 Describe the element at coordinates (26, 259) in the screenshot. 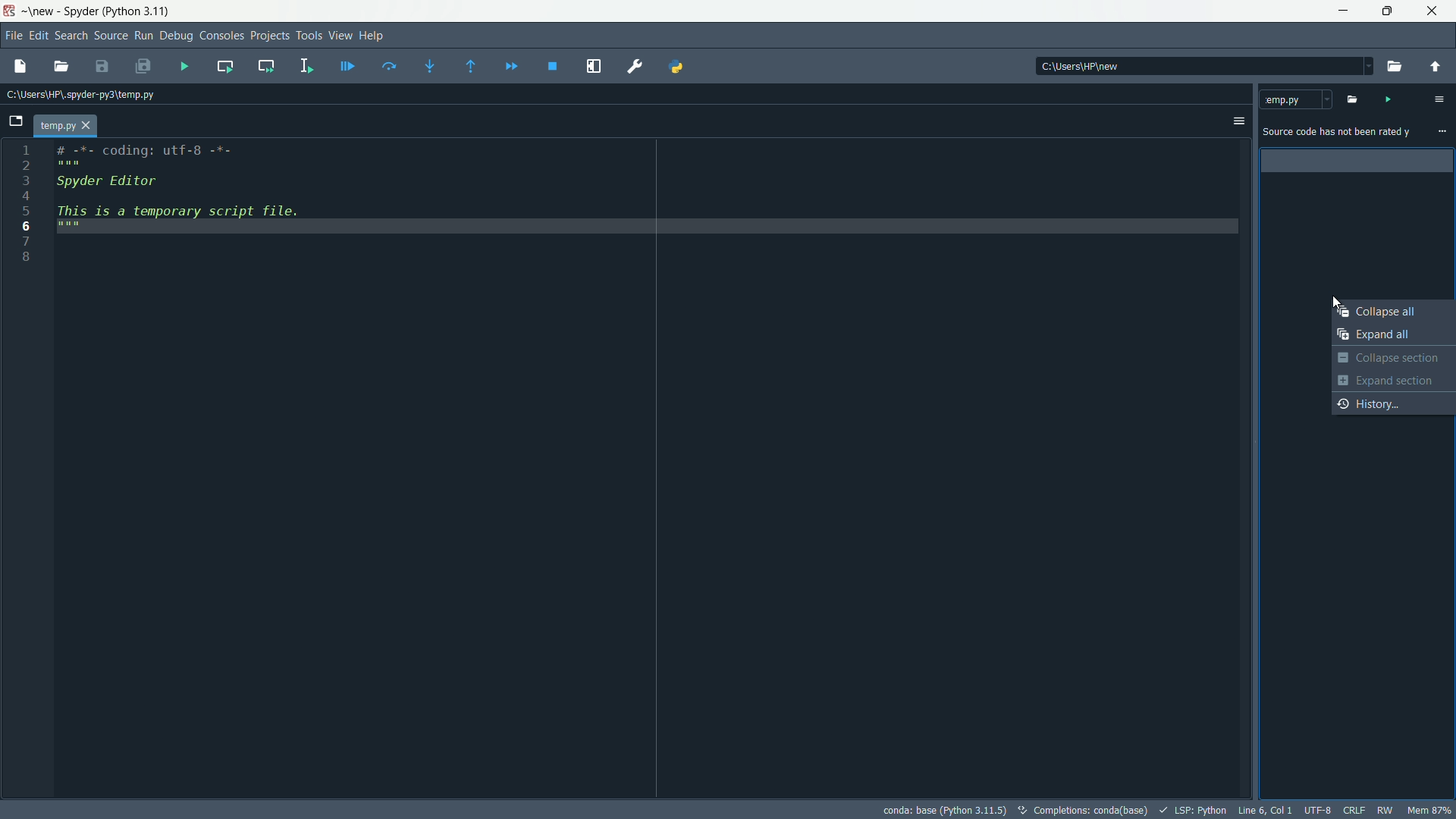

I see `8` at that location.